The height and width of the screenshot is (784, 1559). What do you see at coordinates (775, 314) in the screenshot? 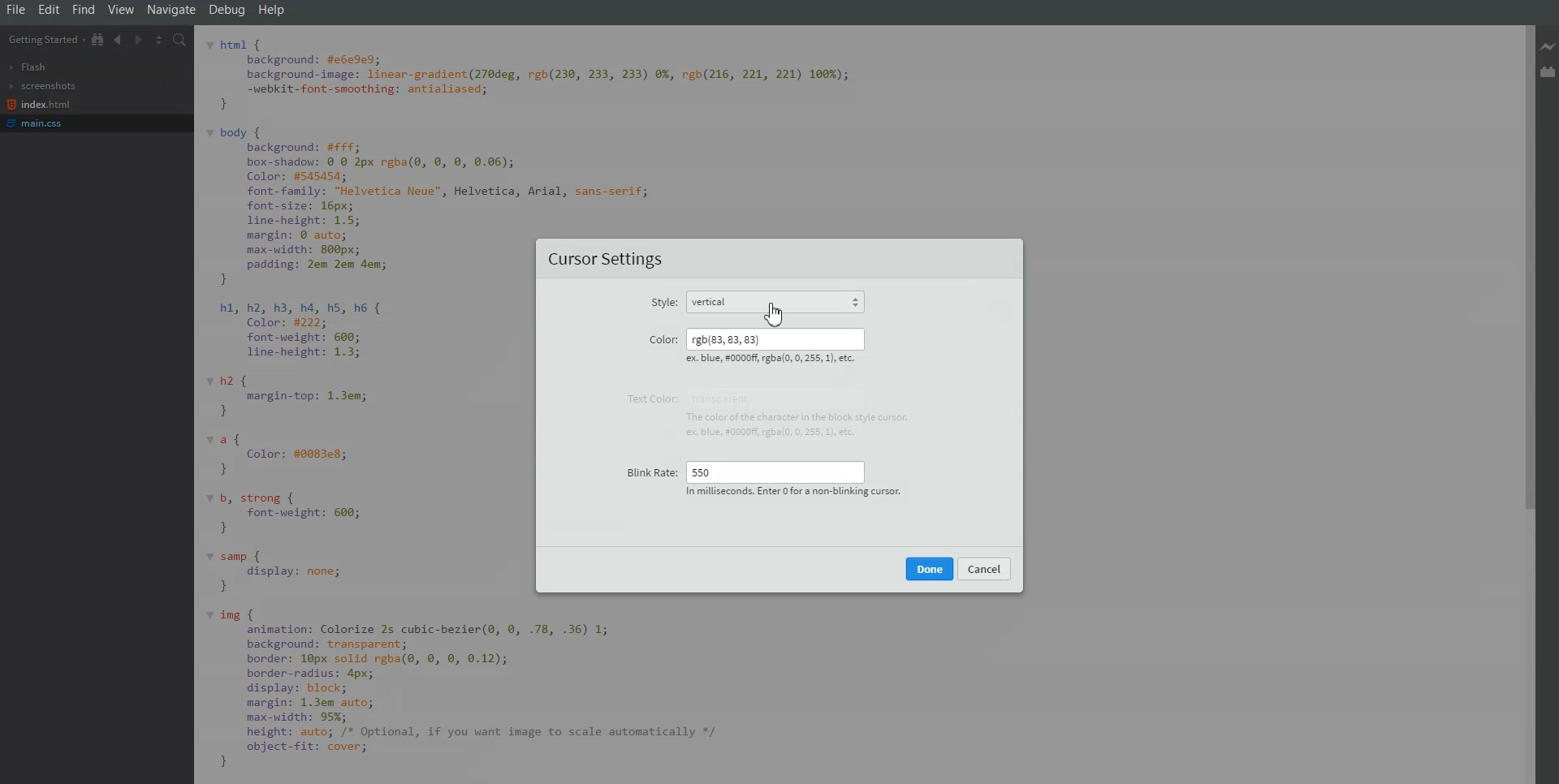
I see `Cursor` at bounding box center [775, 314].